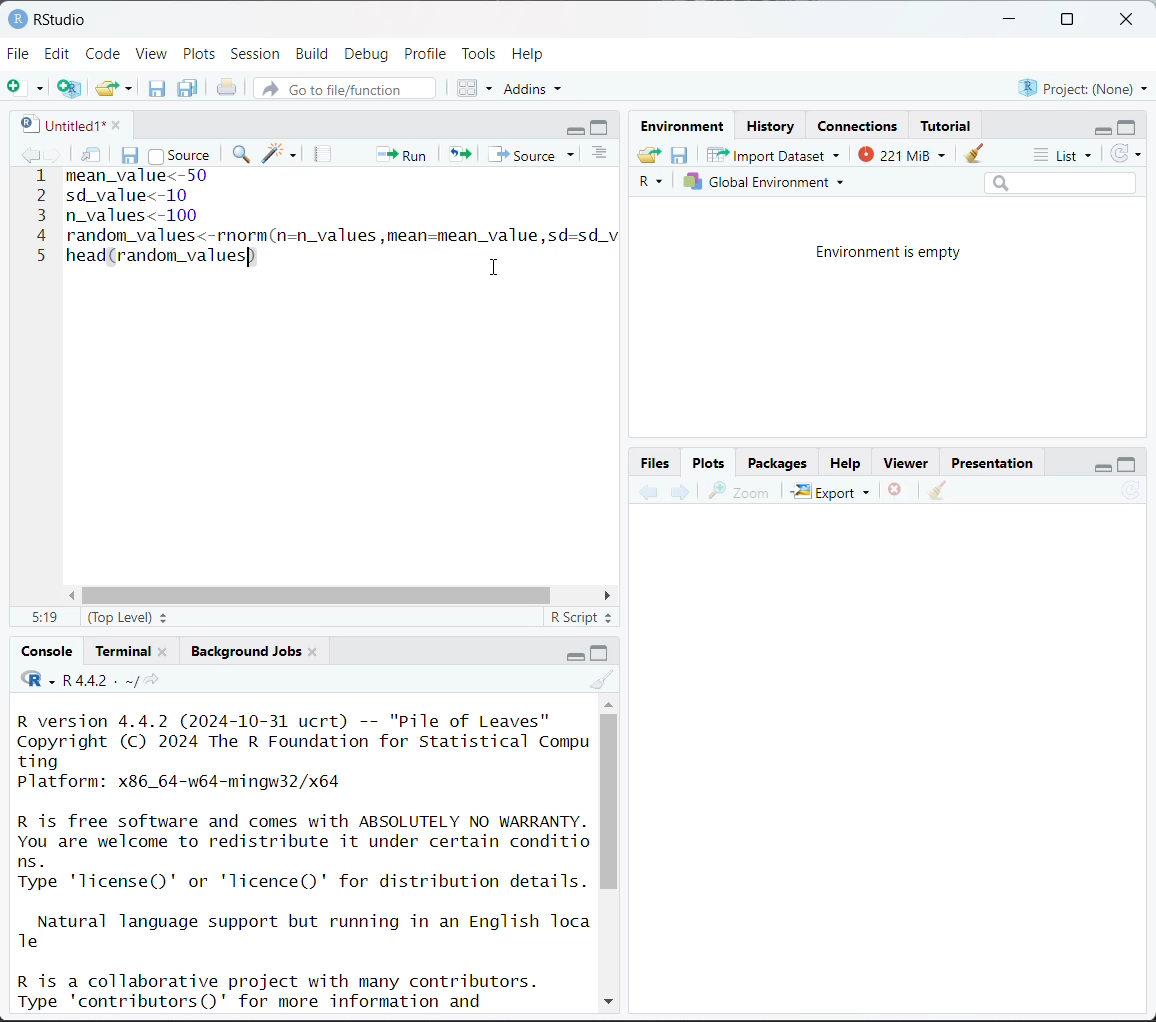 Image resolution: width=1156 pixels, height=1022 pixels. What do you see at coordinates (131, 88) in the screenshot?
I see `clear list` at bounding box center [131, 88].